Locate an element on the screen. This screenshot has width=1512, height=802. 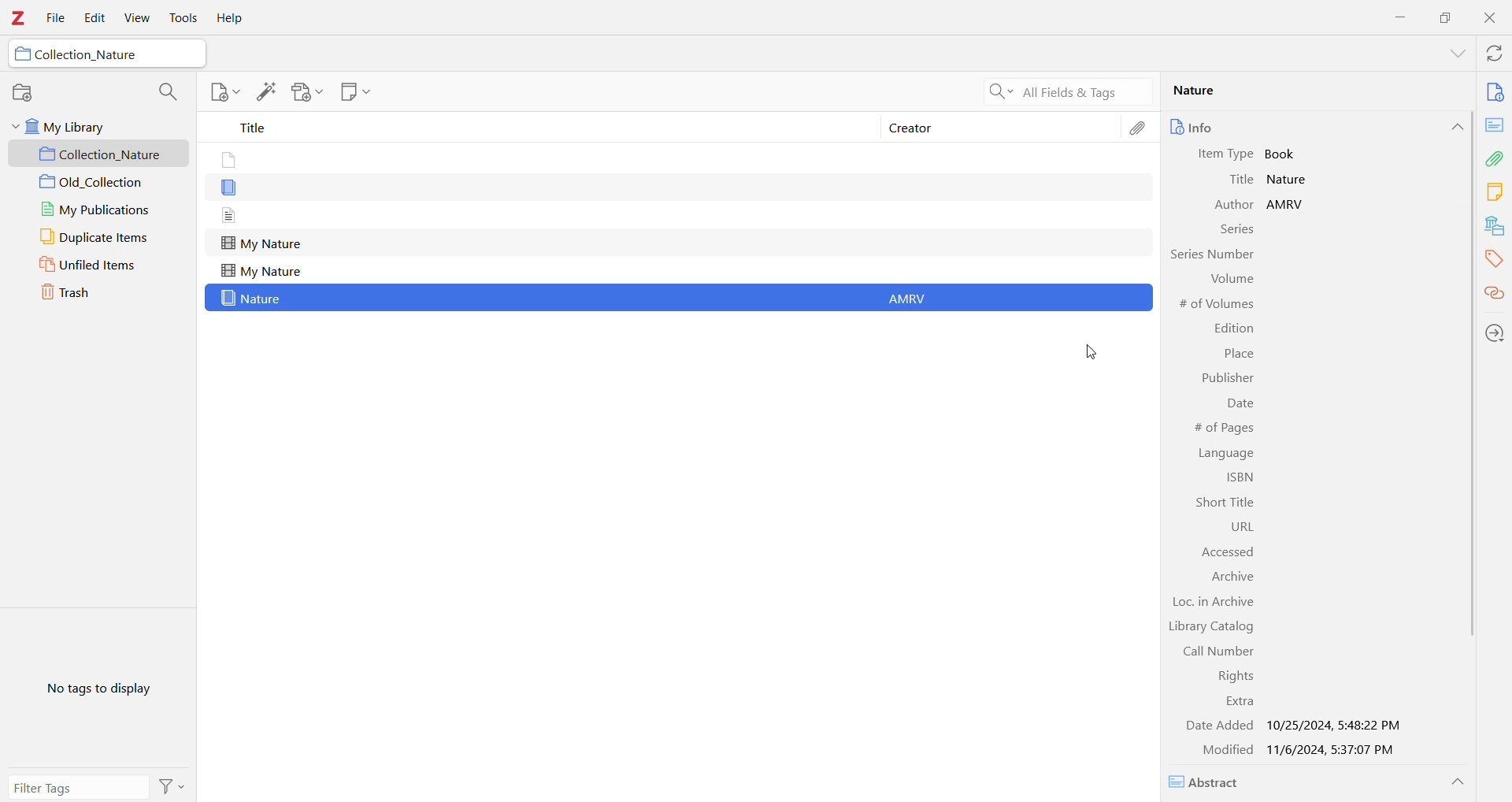
Attachments is located at coordinates (1495, 158).